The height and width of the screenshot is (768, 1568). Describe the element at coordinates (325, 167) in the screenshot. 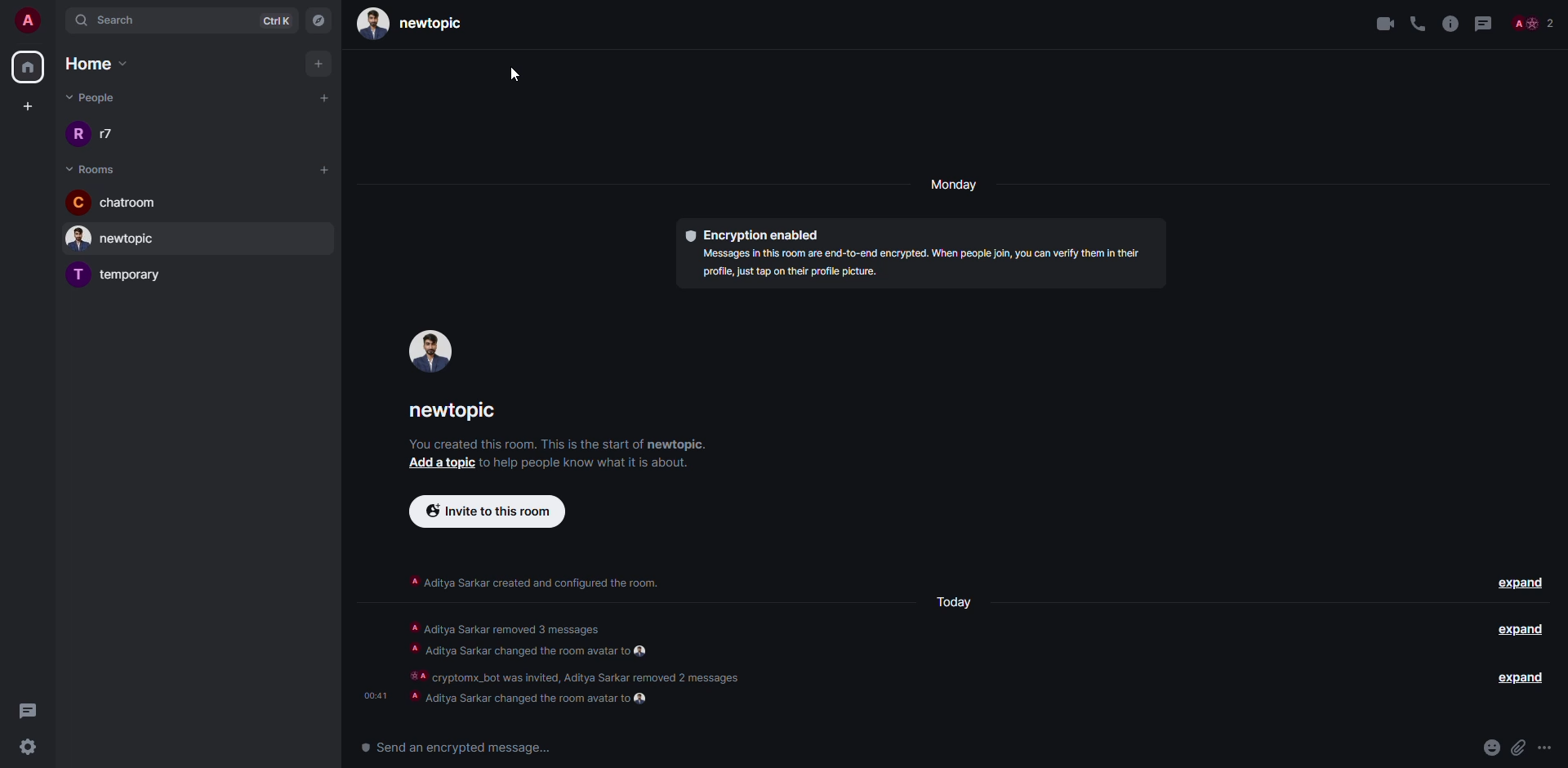

I see `add` at that location.